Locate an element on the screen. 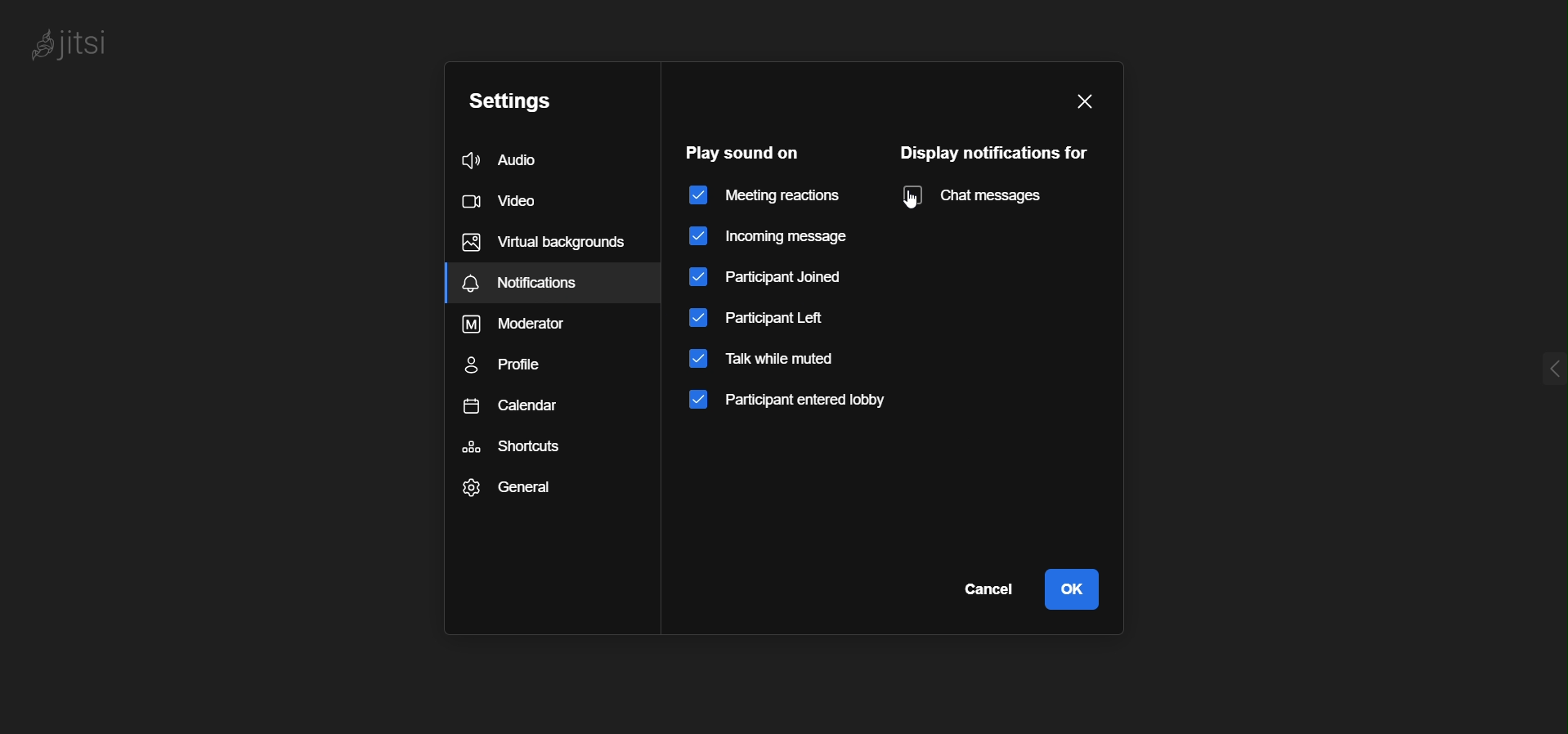  close is located at coordinates (1082, 97).